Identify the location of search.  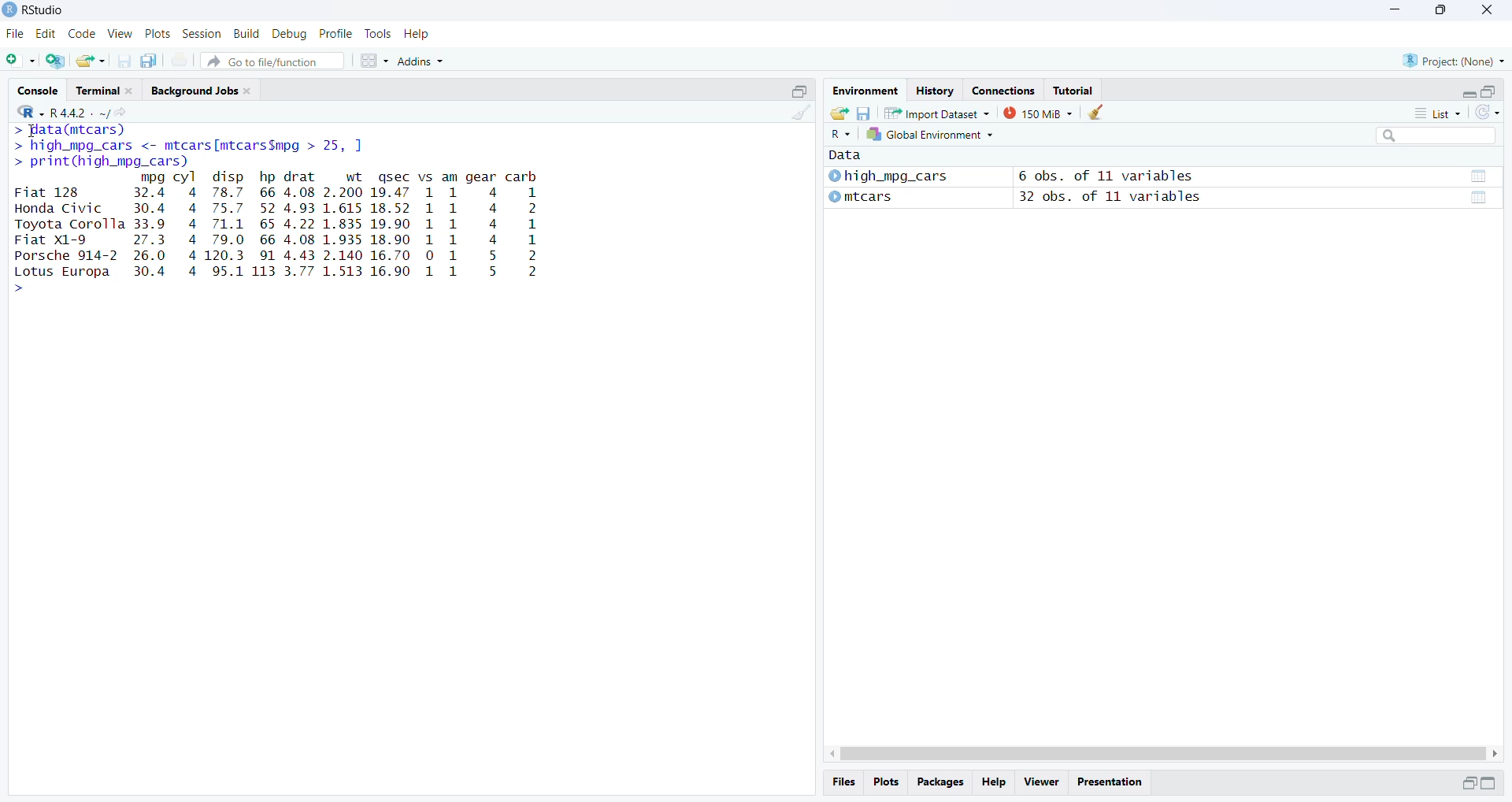
(1436, 136).